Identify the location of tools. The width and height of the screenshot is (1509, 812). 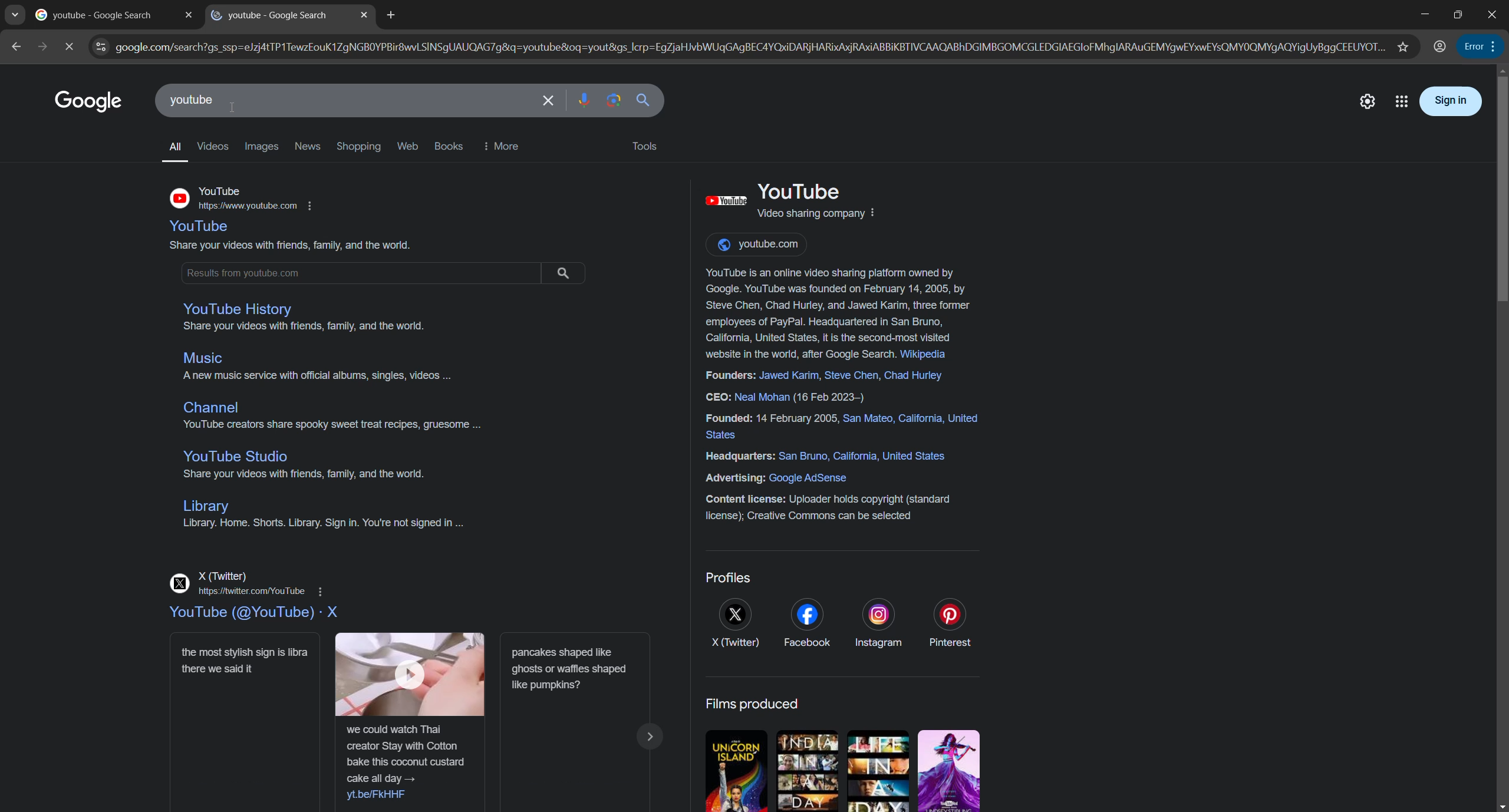
(645, 146).